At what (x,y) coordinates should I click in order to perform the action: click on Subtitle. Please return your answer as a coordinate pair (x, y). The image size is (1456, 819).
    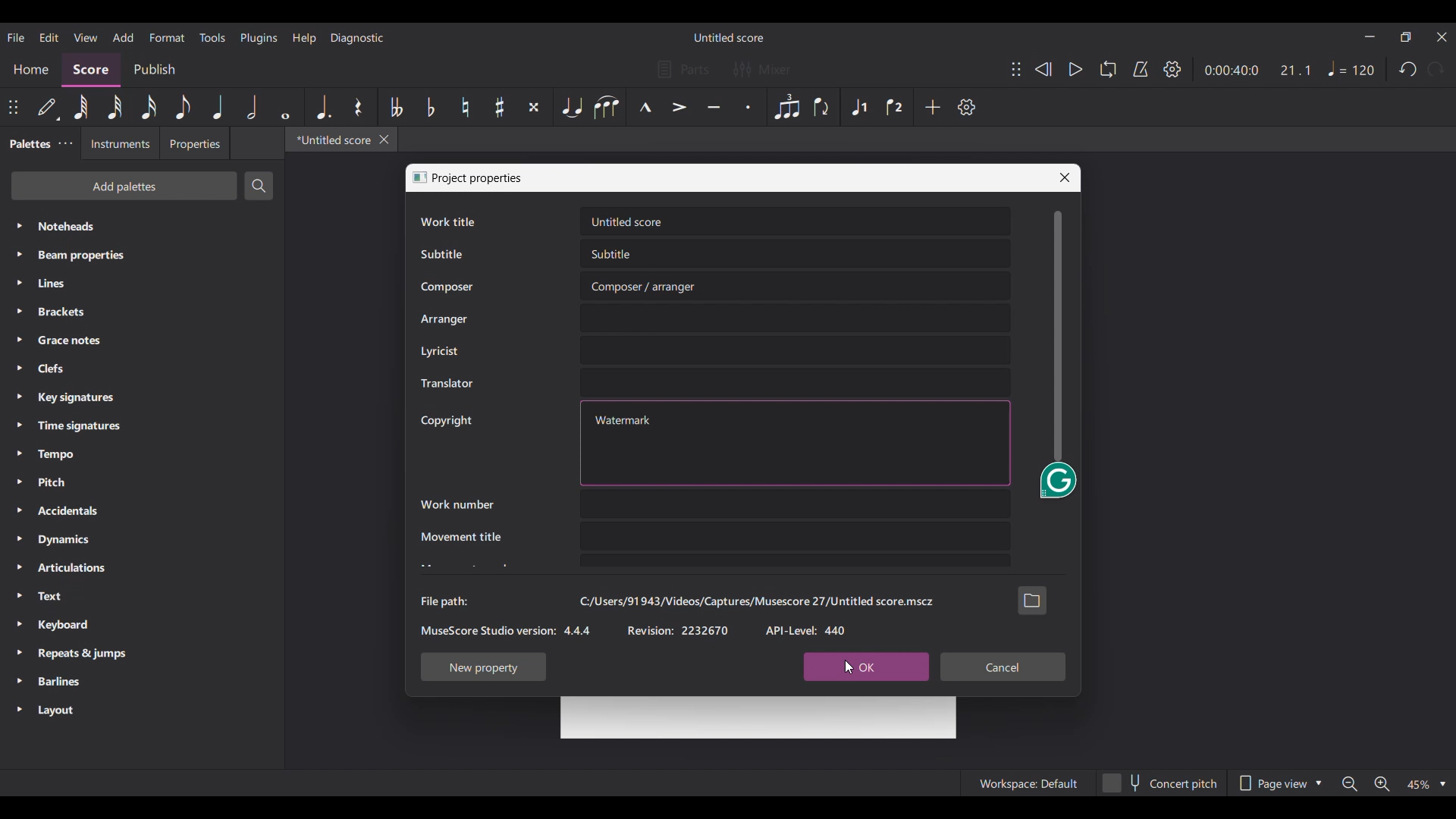
    Looking at the image, I should click on (441, 254).